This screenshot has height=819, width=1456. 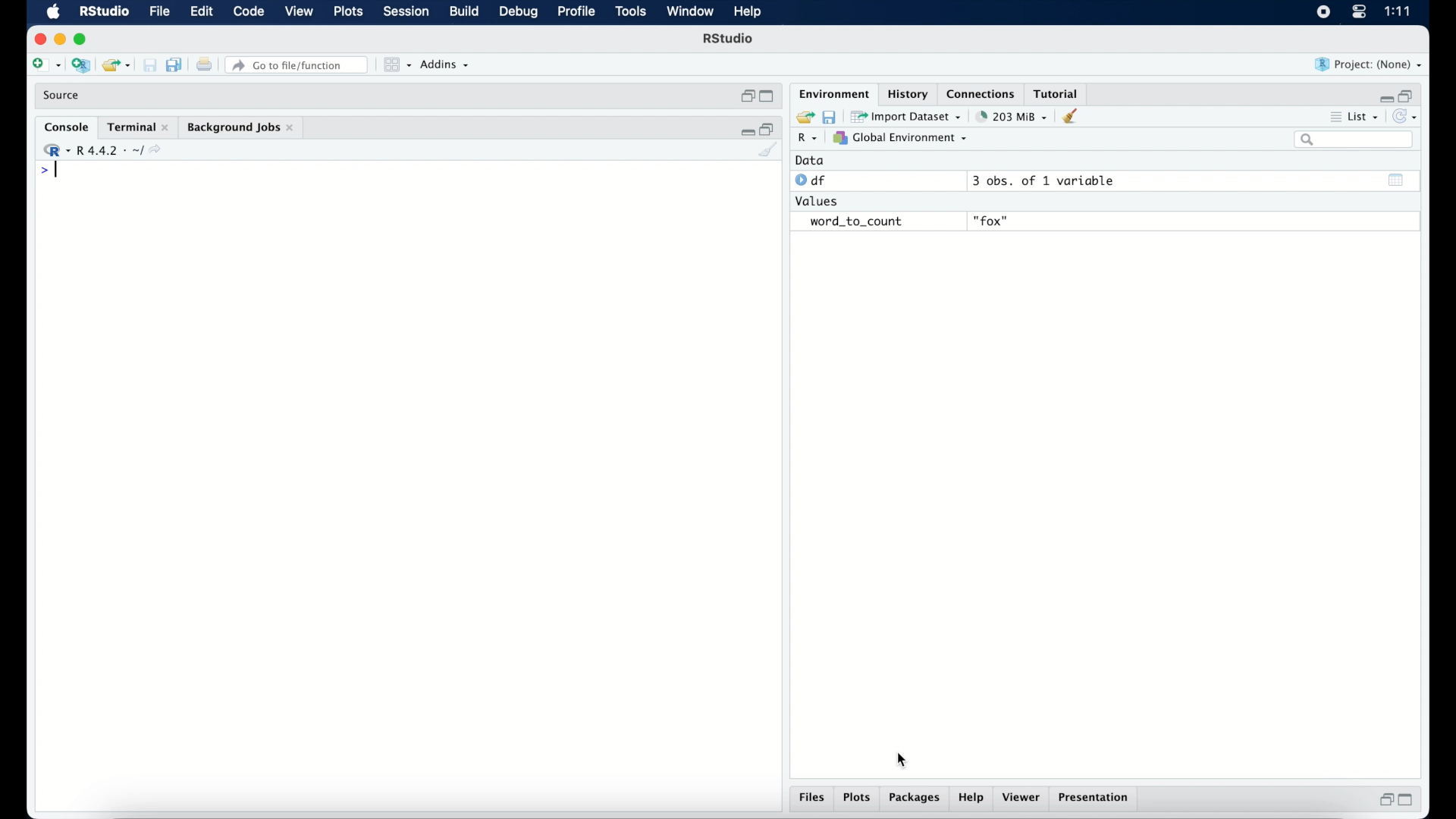 I want to click on clear console, so click(x=769, y=151).